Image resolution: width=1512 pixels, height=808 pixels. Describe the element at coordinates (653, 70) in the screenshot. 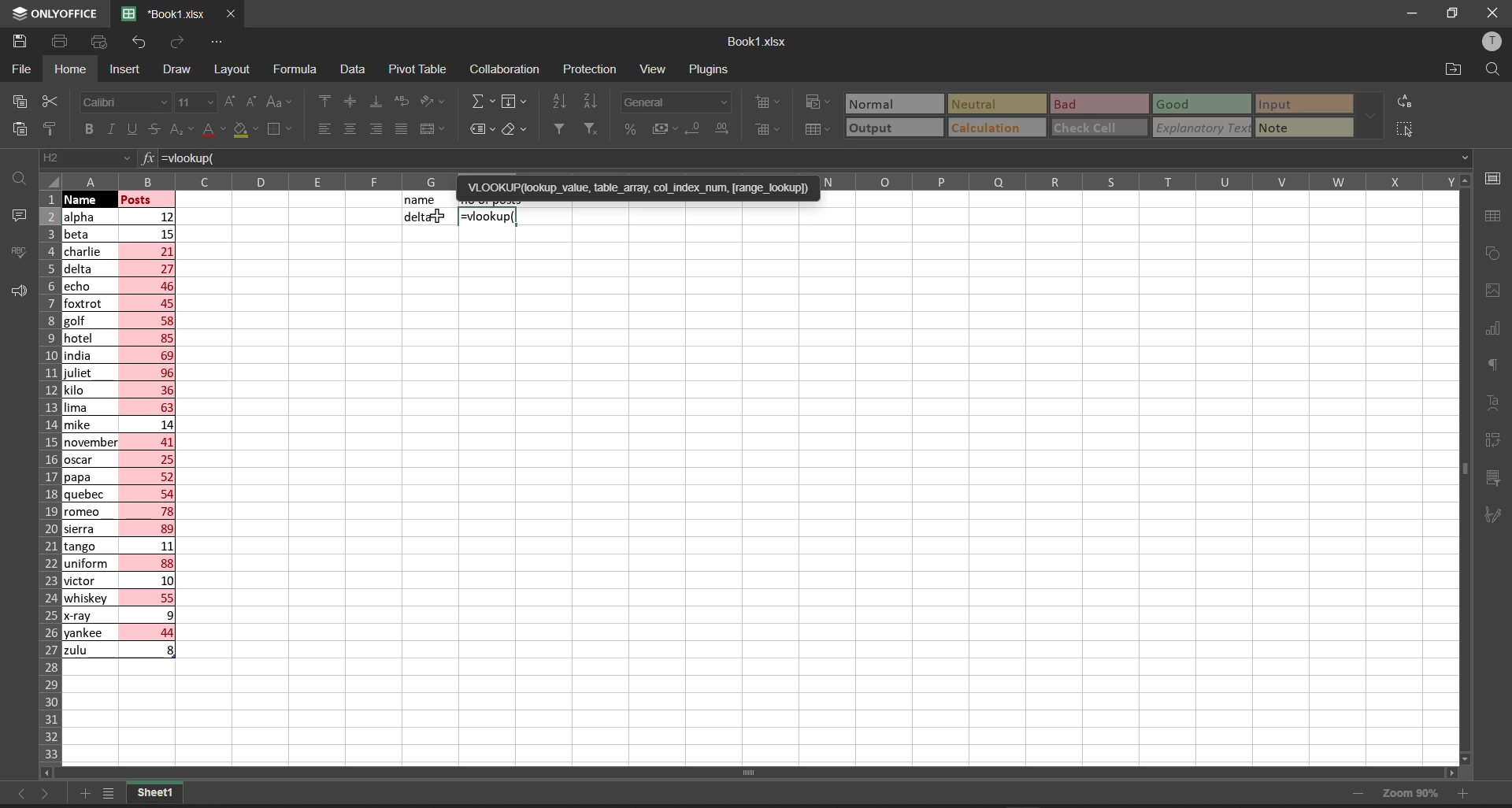

I see `view` at that location.